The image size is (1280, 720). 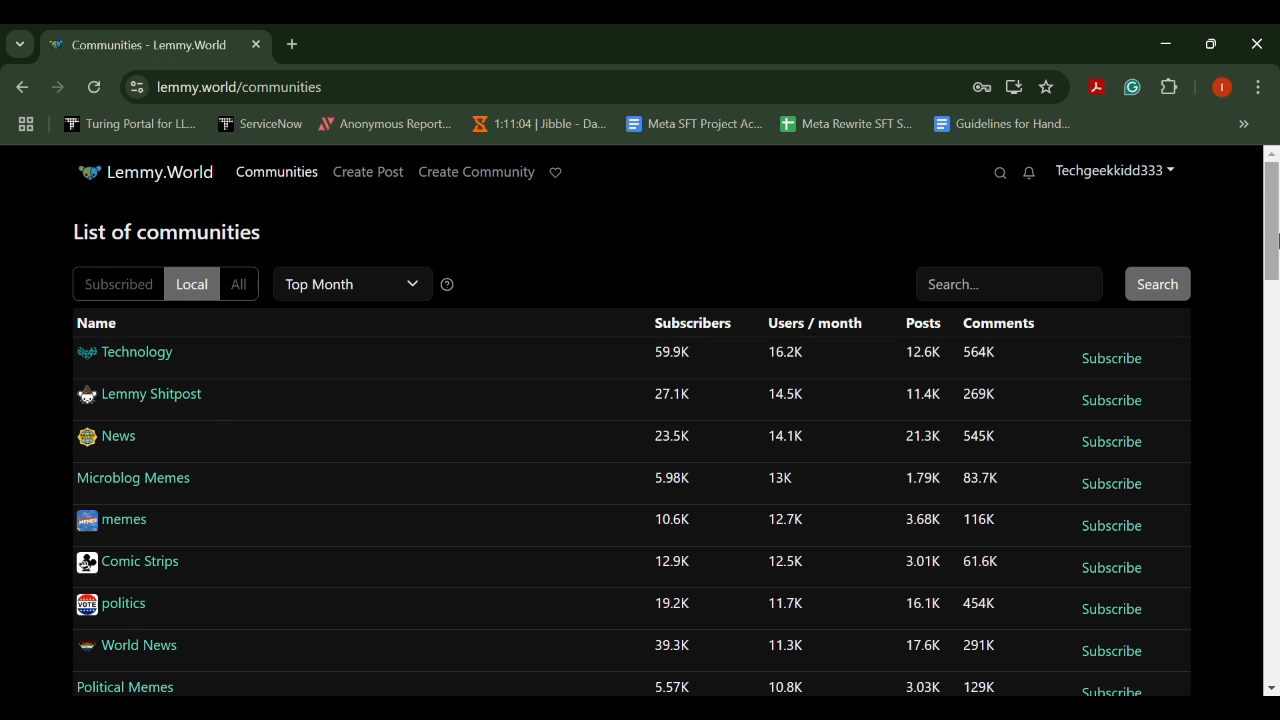 What do you see at coordinates (693, 324) in the screenshot?
I see `Subscribers` at bounding box center [693, 324].